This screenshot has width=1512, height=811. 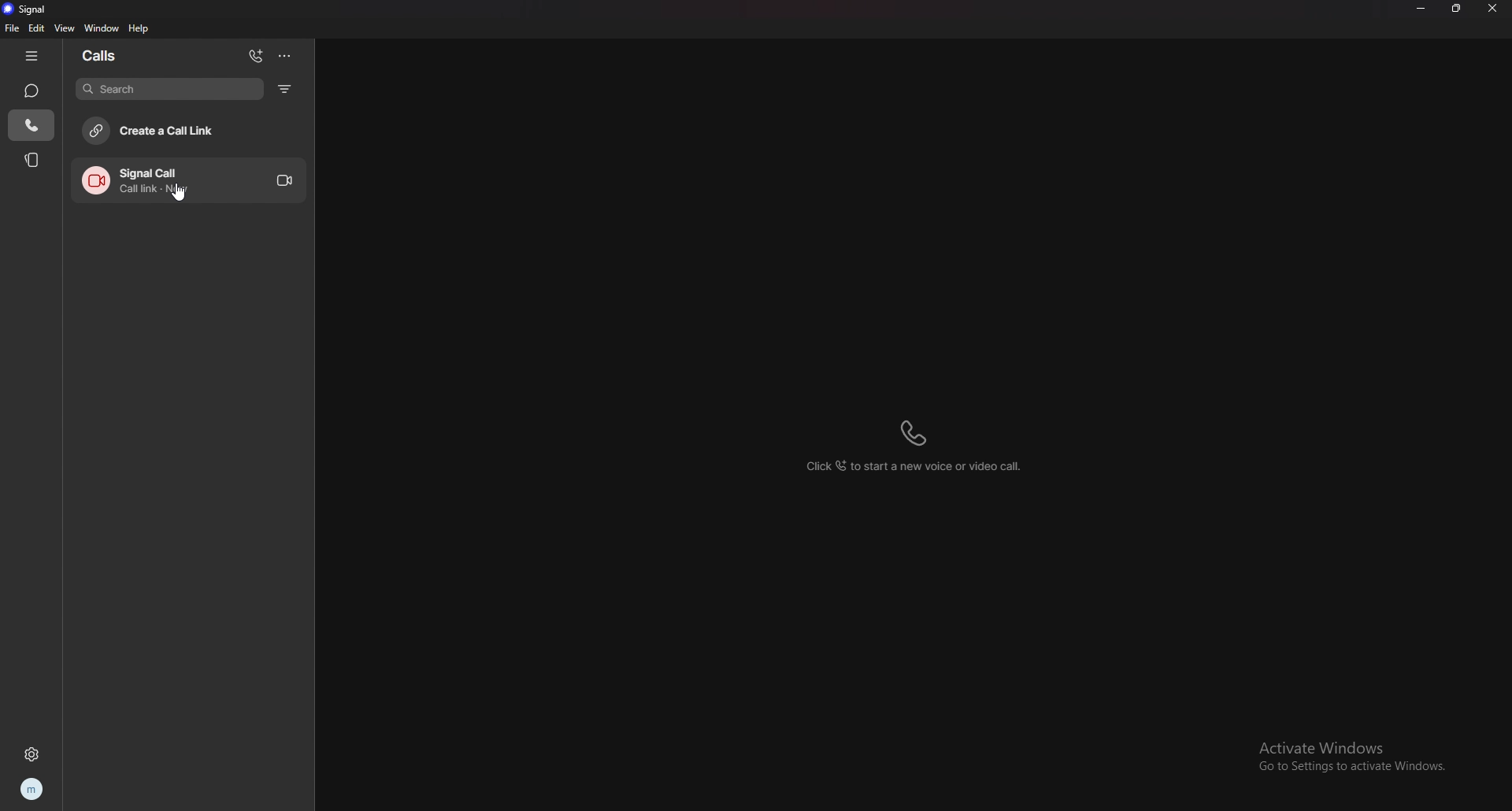 What do you see at coordinates (118, 54) in the screenshot?
I see `calls` at bounding box center [118, 54].